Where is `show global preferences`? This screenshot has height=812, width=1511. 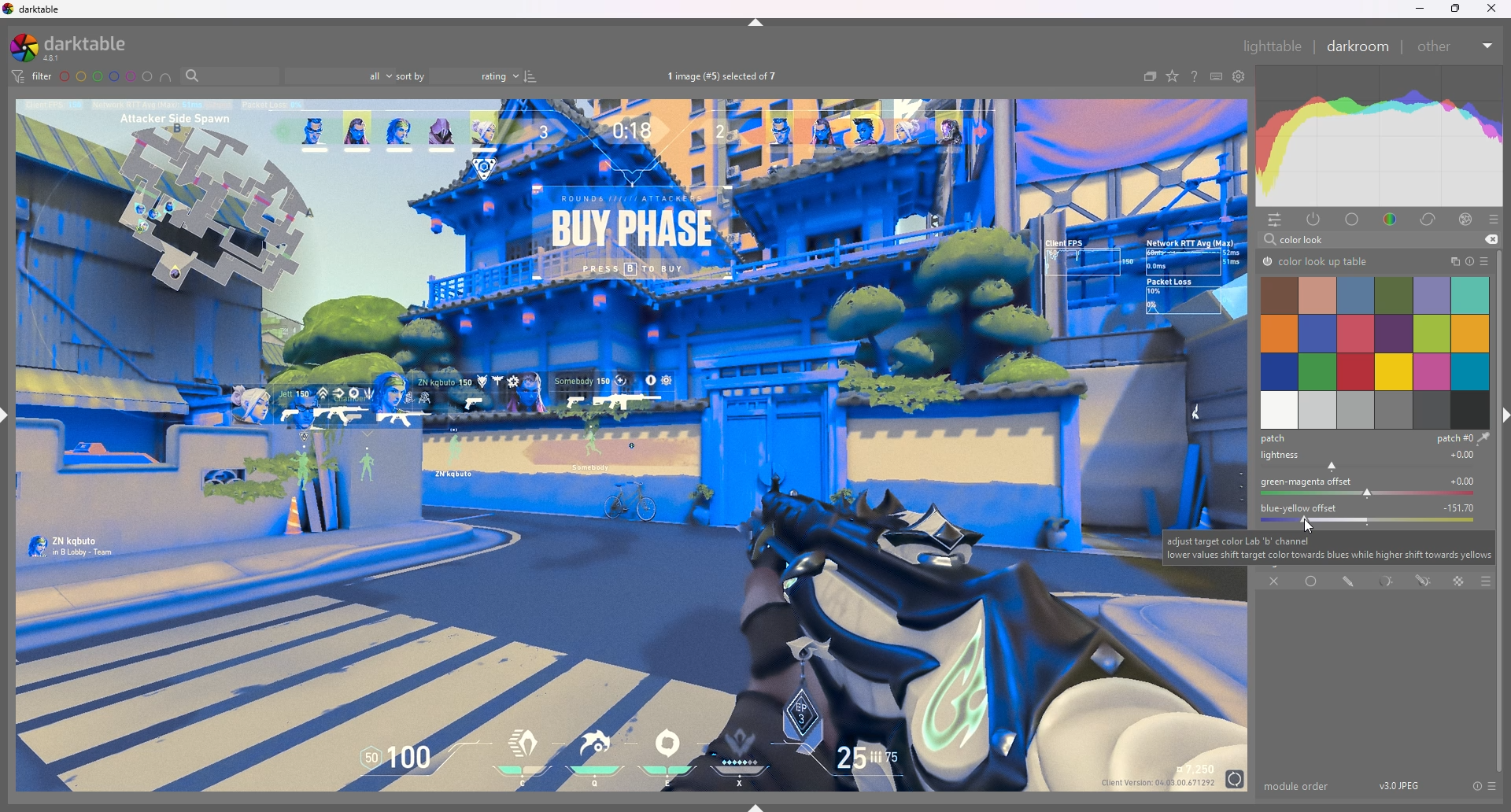
show global preferences is located at coordinates (1239, 76).